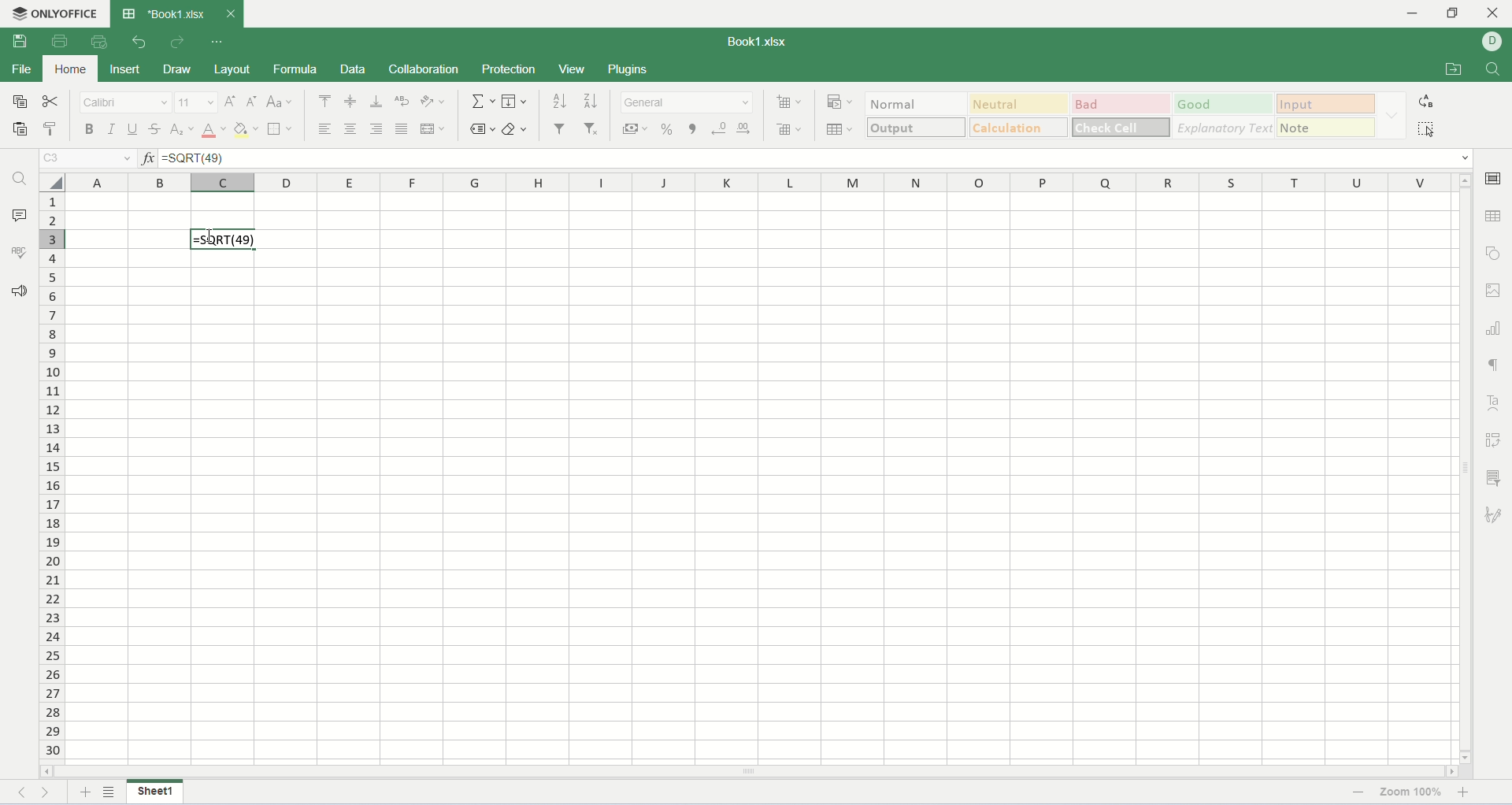 The image size is (1512, 805). I want to click on insert function, so click(149, 158).